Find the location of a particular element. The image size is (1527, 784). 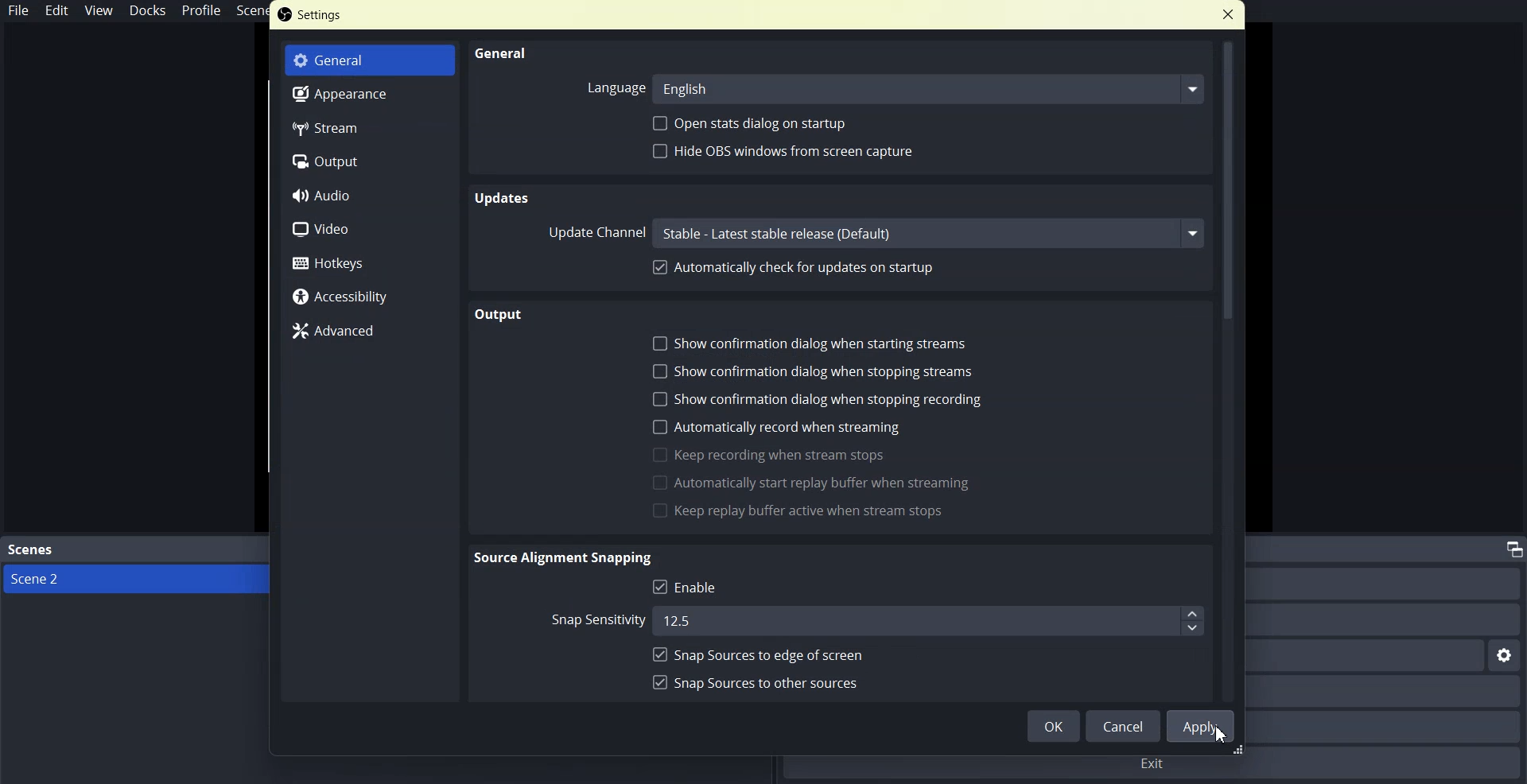

Edit is located at coordinates (56, 10).